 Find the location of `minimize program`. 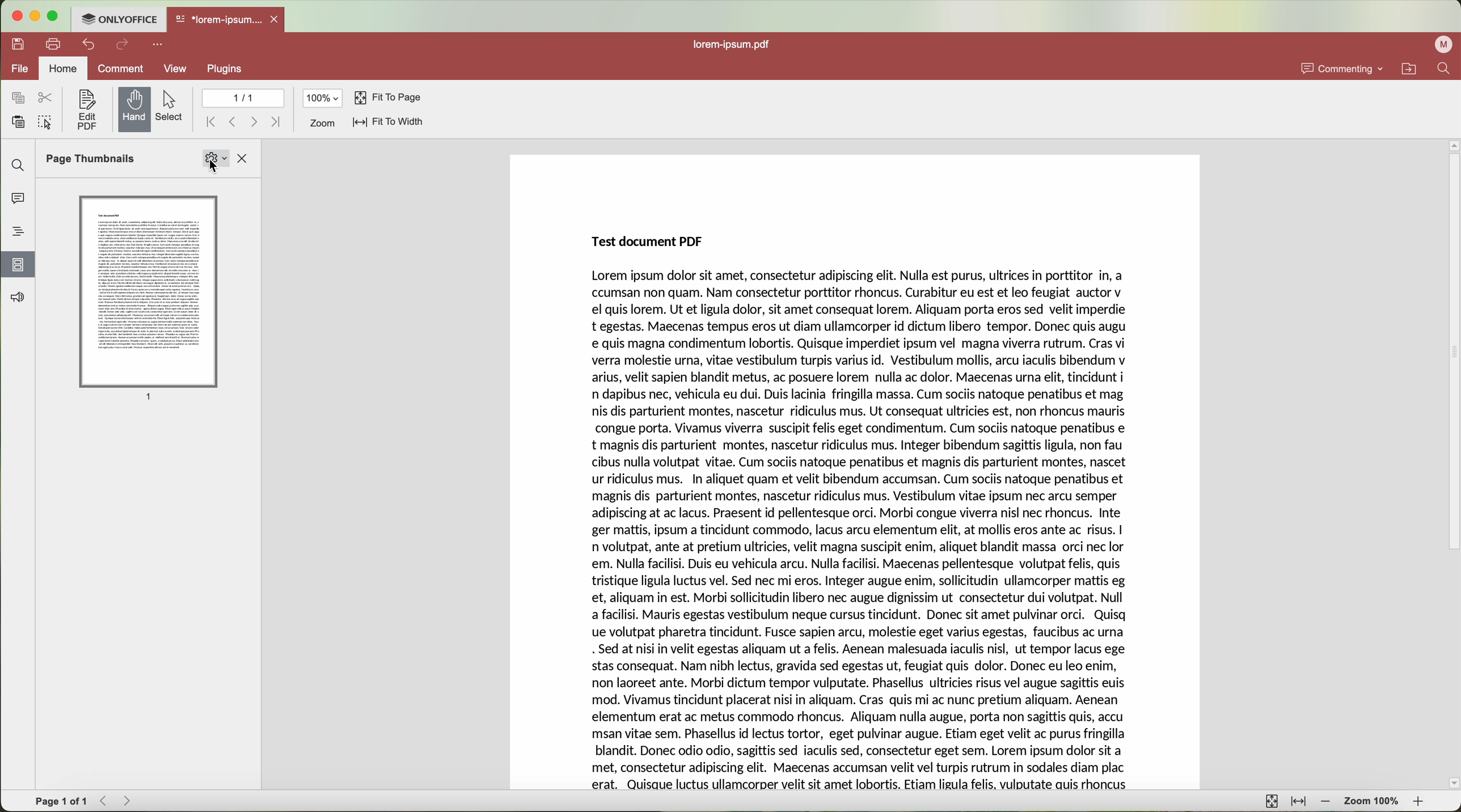

minimize program is located at coordinates (33, 16).